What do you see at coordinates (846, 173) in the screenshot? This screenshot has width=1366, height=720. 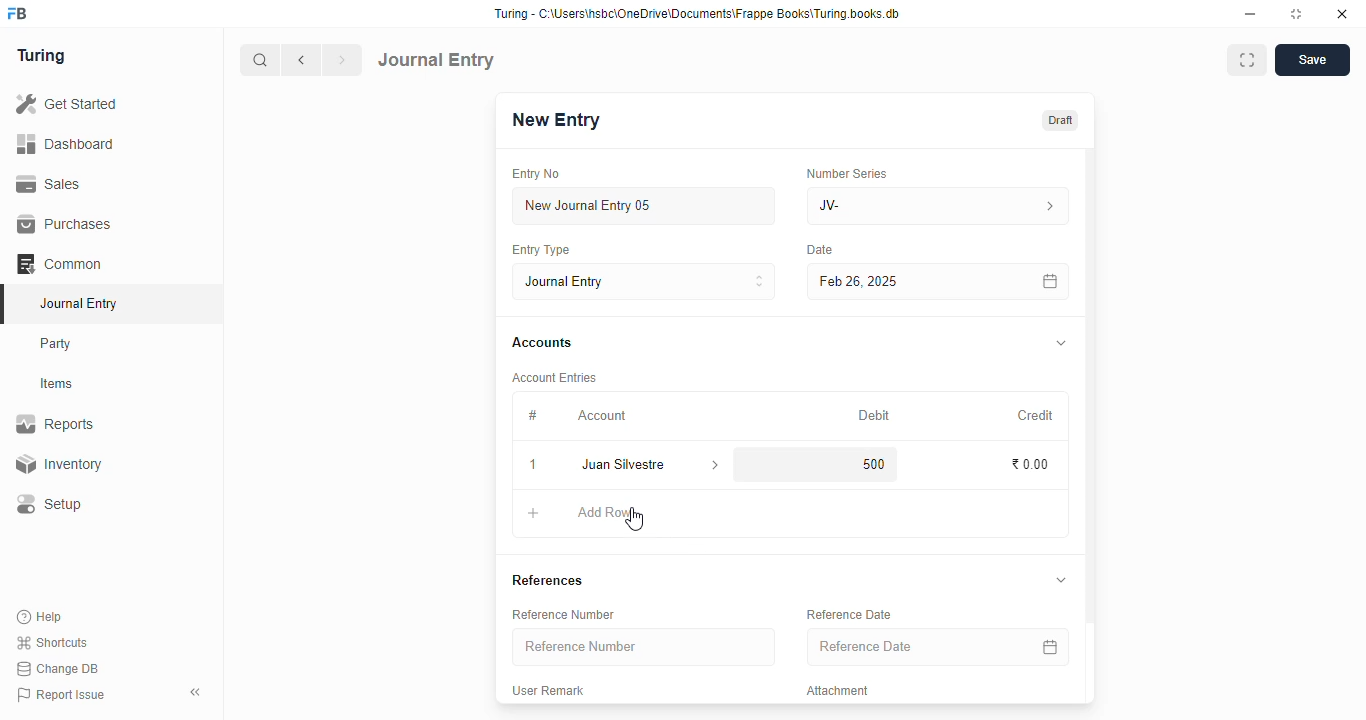 I see `number series` at bounding box center [846, 173].